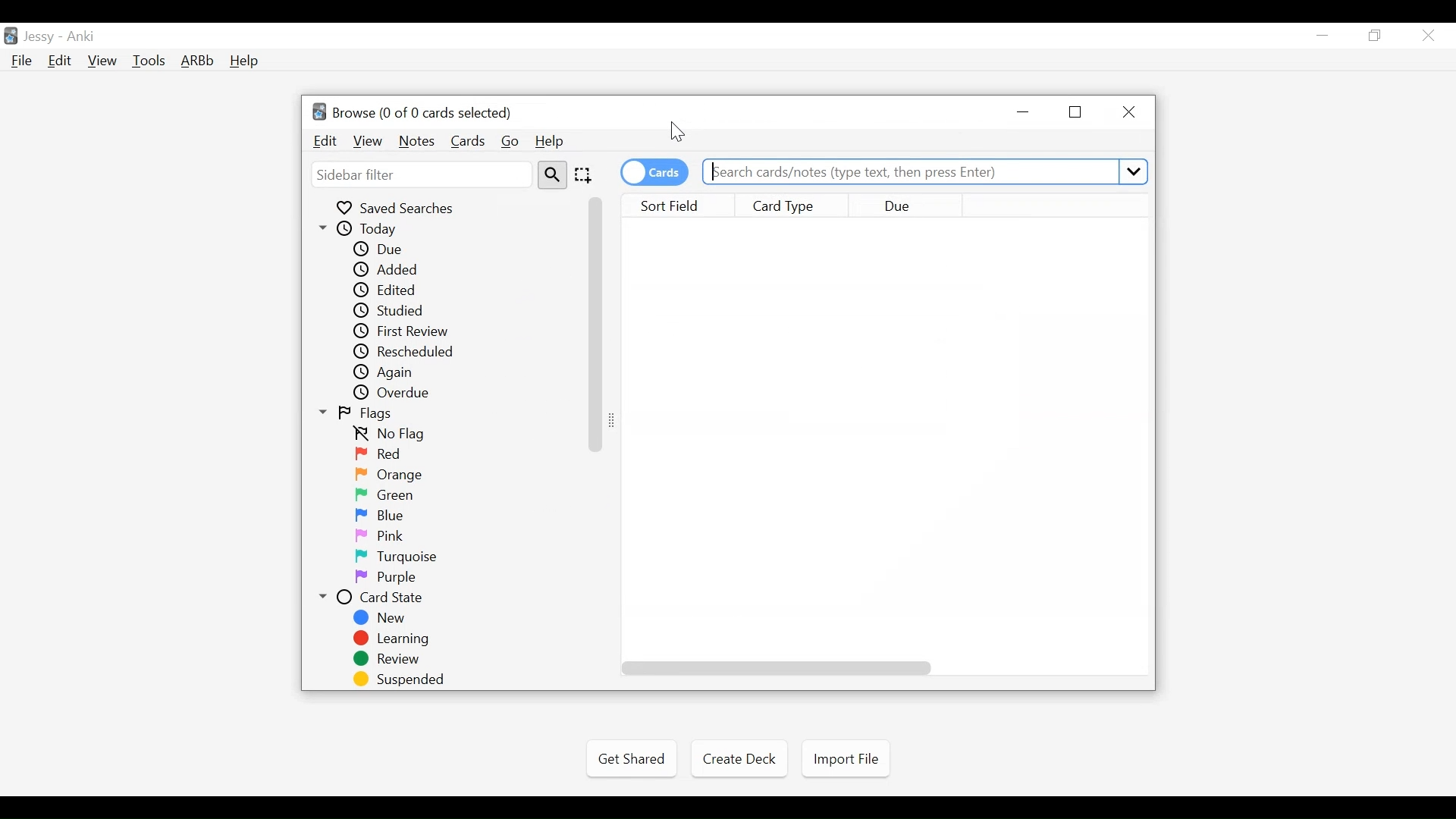 Image resolution: width=1456 pixels, height=819 pixels. I want to click on Card State, so click(383, 598).